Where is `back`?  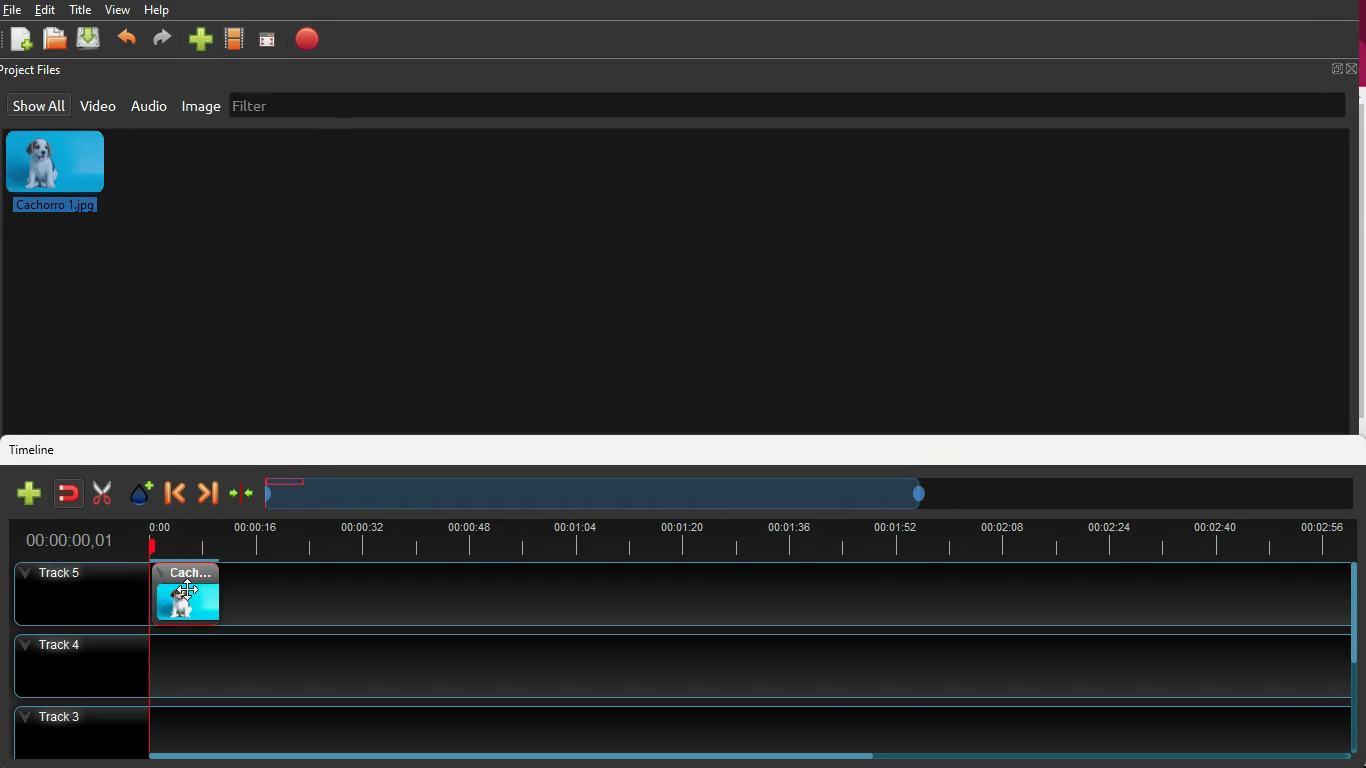
back is located at coordinates (172, 494).